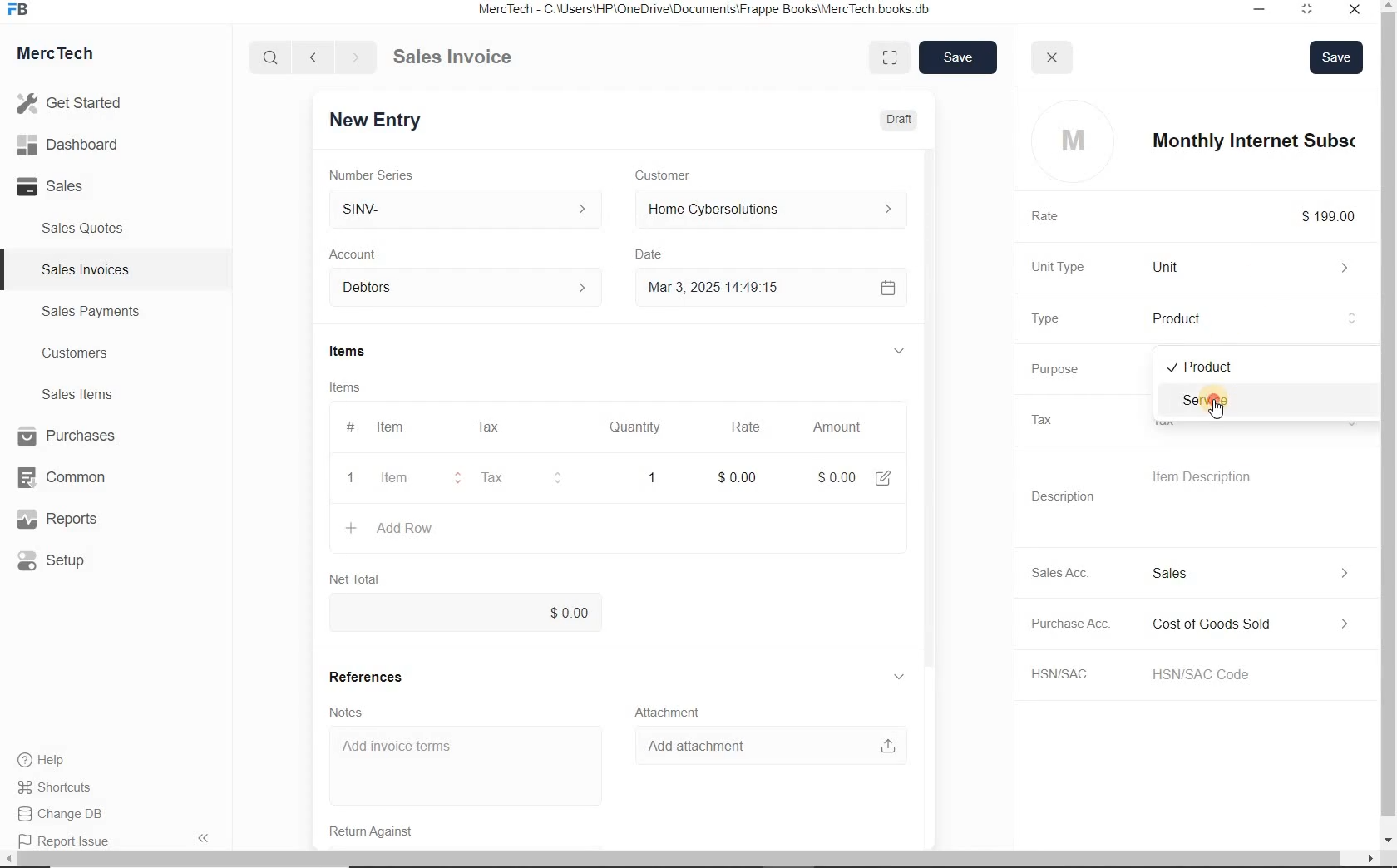  What do you see at coordinates (1078, 674) in the screenshot?
I see `HSN/SAC` at bounding box center [1078, 674].